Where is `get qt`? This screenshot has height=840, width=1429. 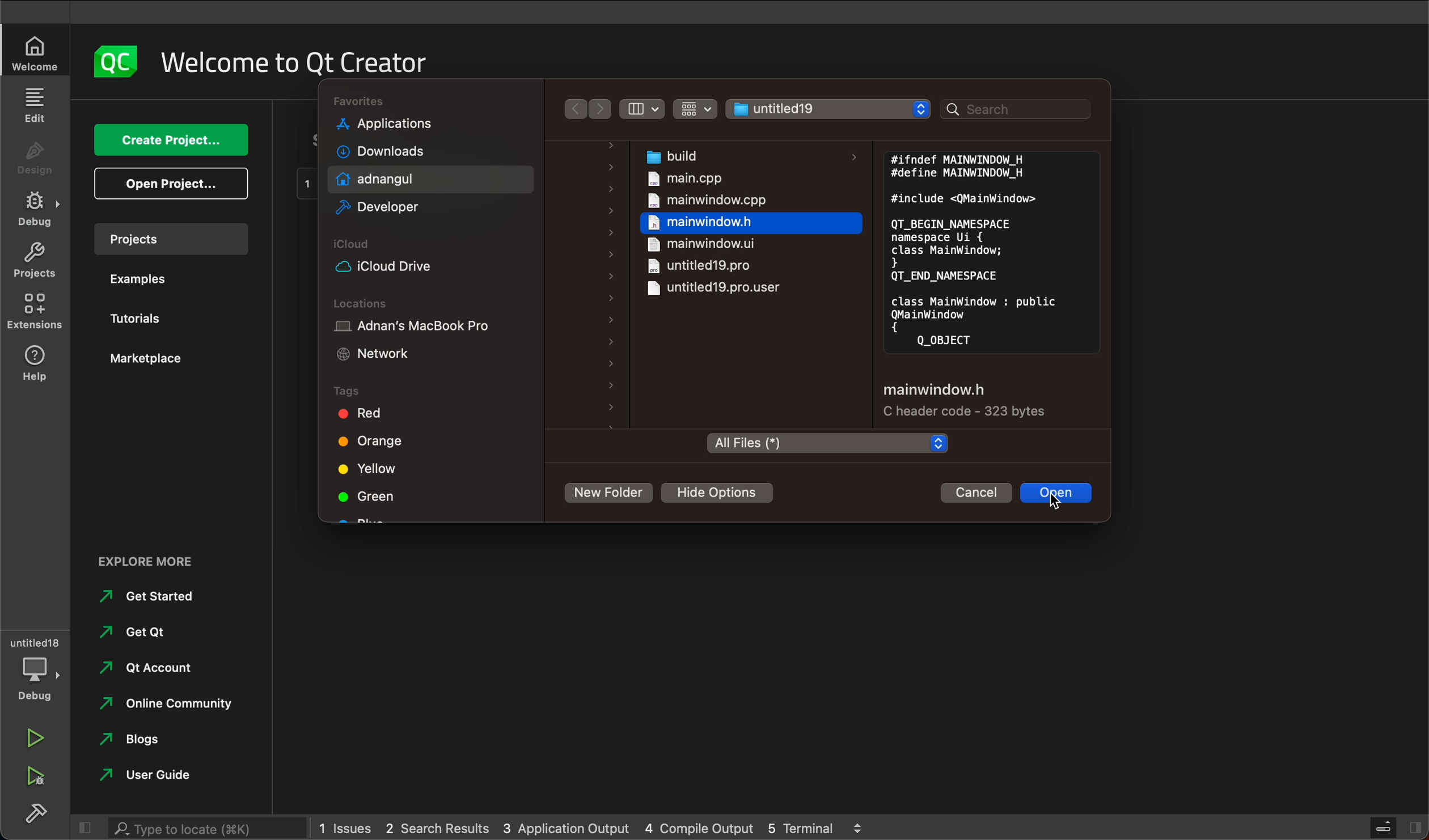 get qt is located at coordinates (135, 632).